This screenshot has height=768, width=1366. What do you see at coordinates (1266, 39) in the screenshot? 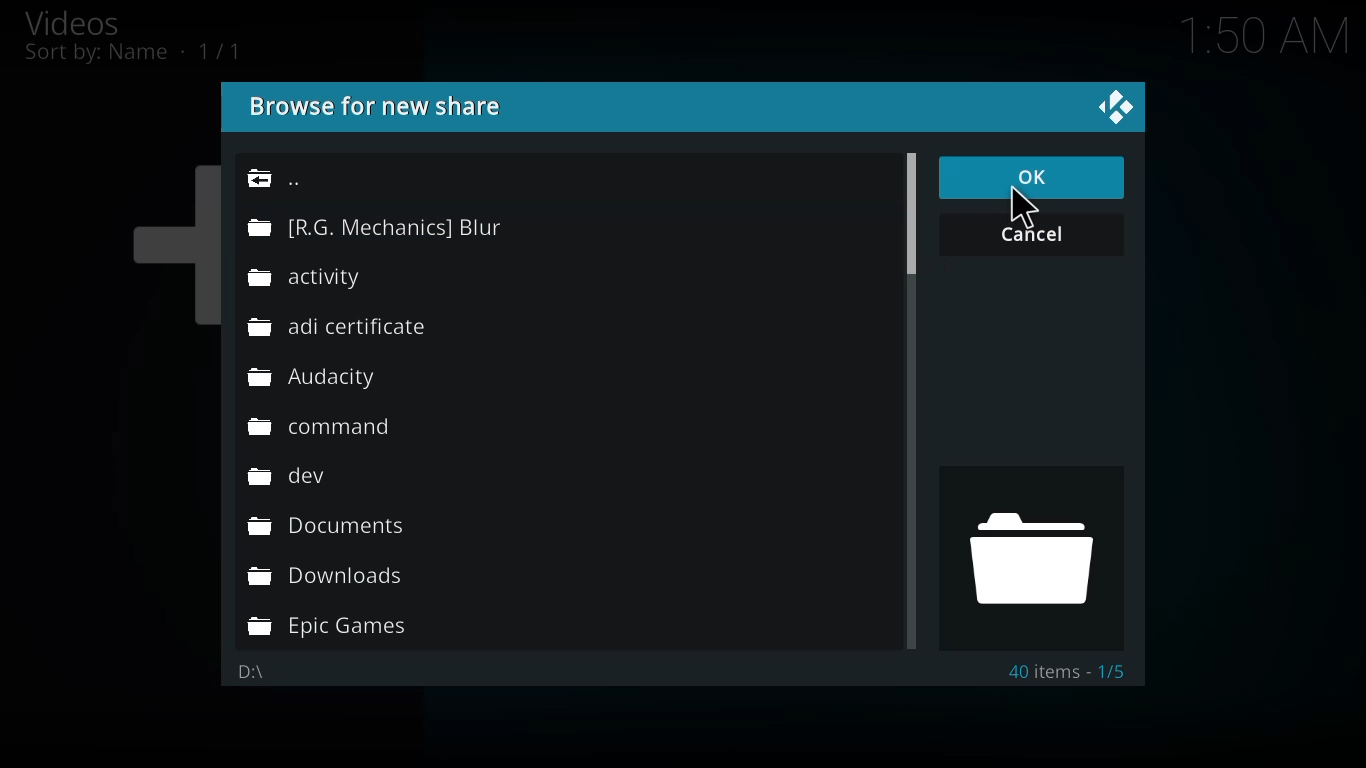
I see `time` at bounding box center [1266, 39].